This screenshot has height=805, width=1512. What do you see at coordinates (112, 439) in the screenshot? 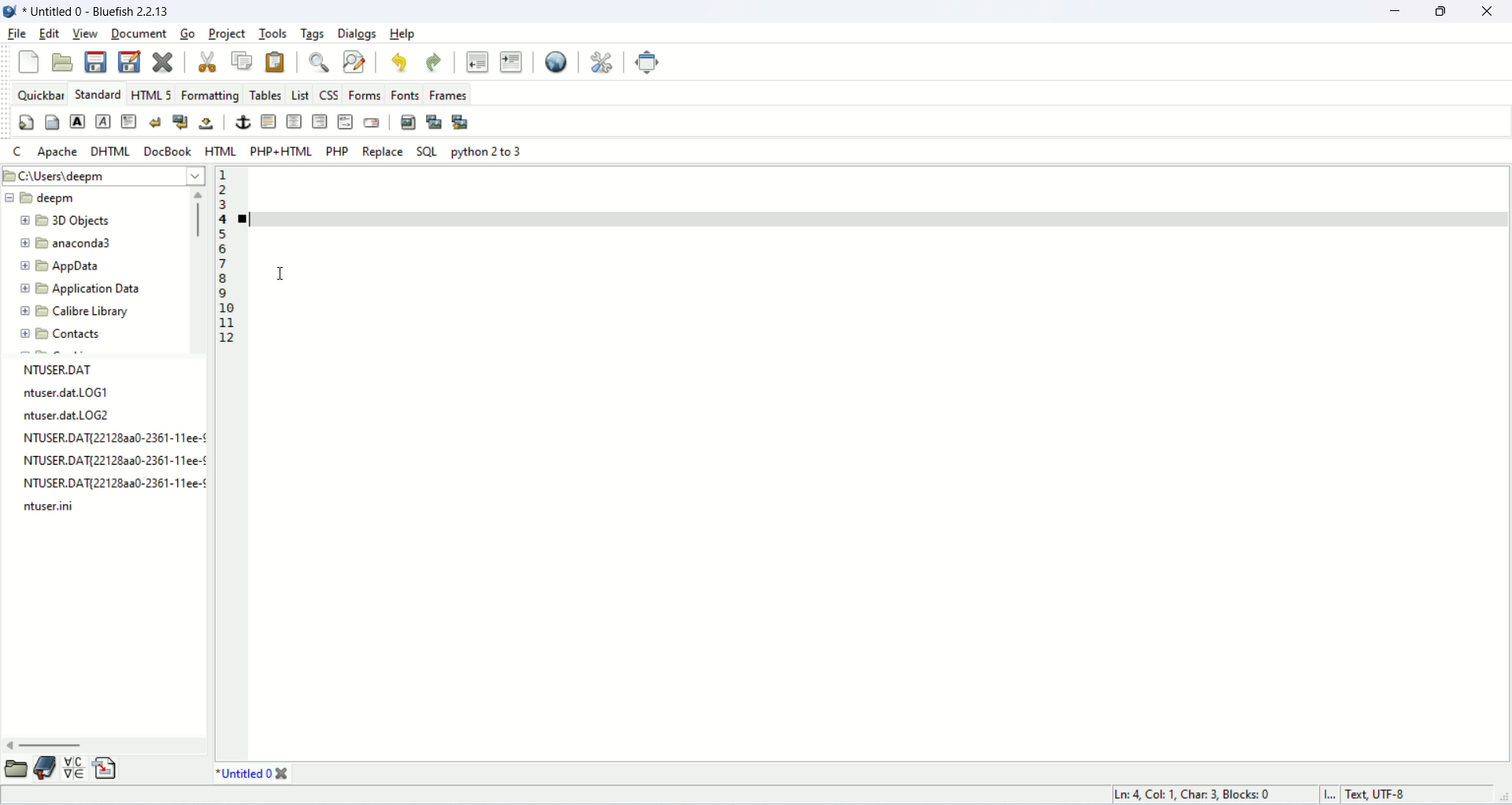
I see `filename` at bounding box center [112, 439].